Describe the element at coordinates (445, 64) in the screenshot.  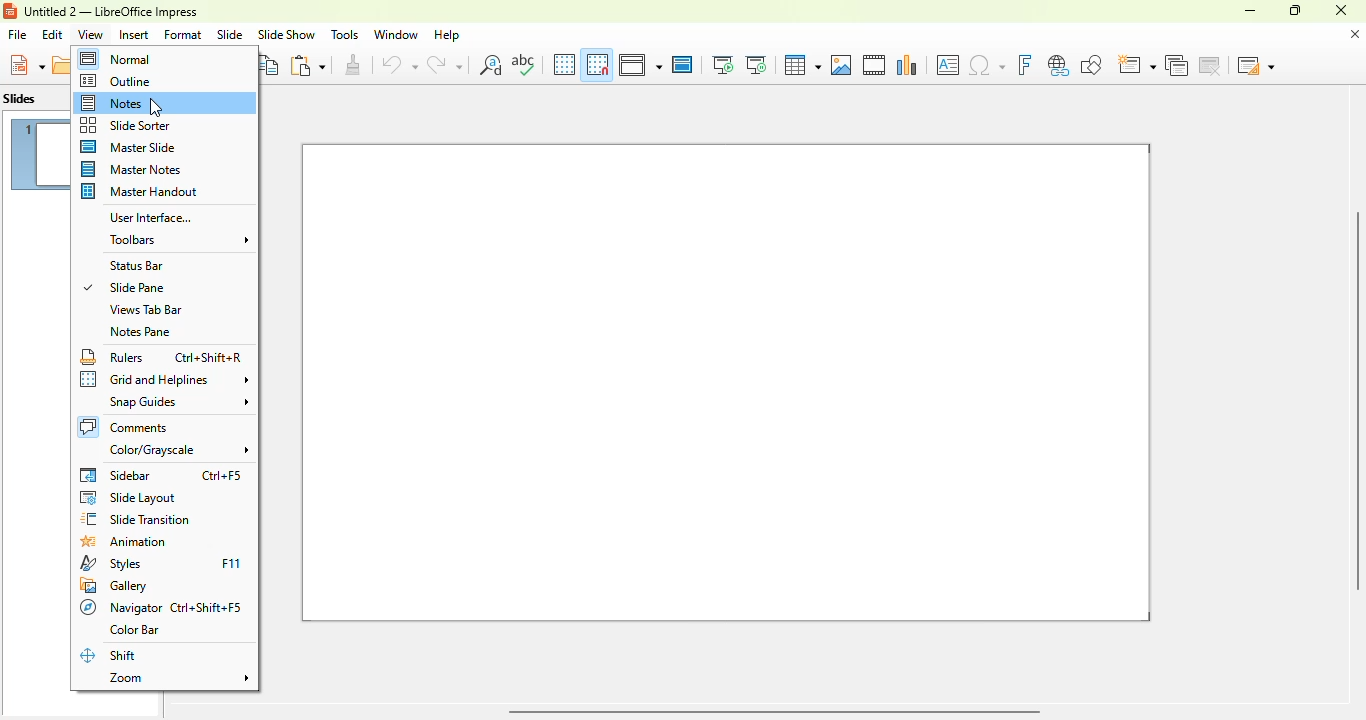
I see `redo` at that location.